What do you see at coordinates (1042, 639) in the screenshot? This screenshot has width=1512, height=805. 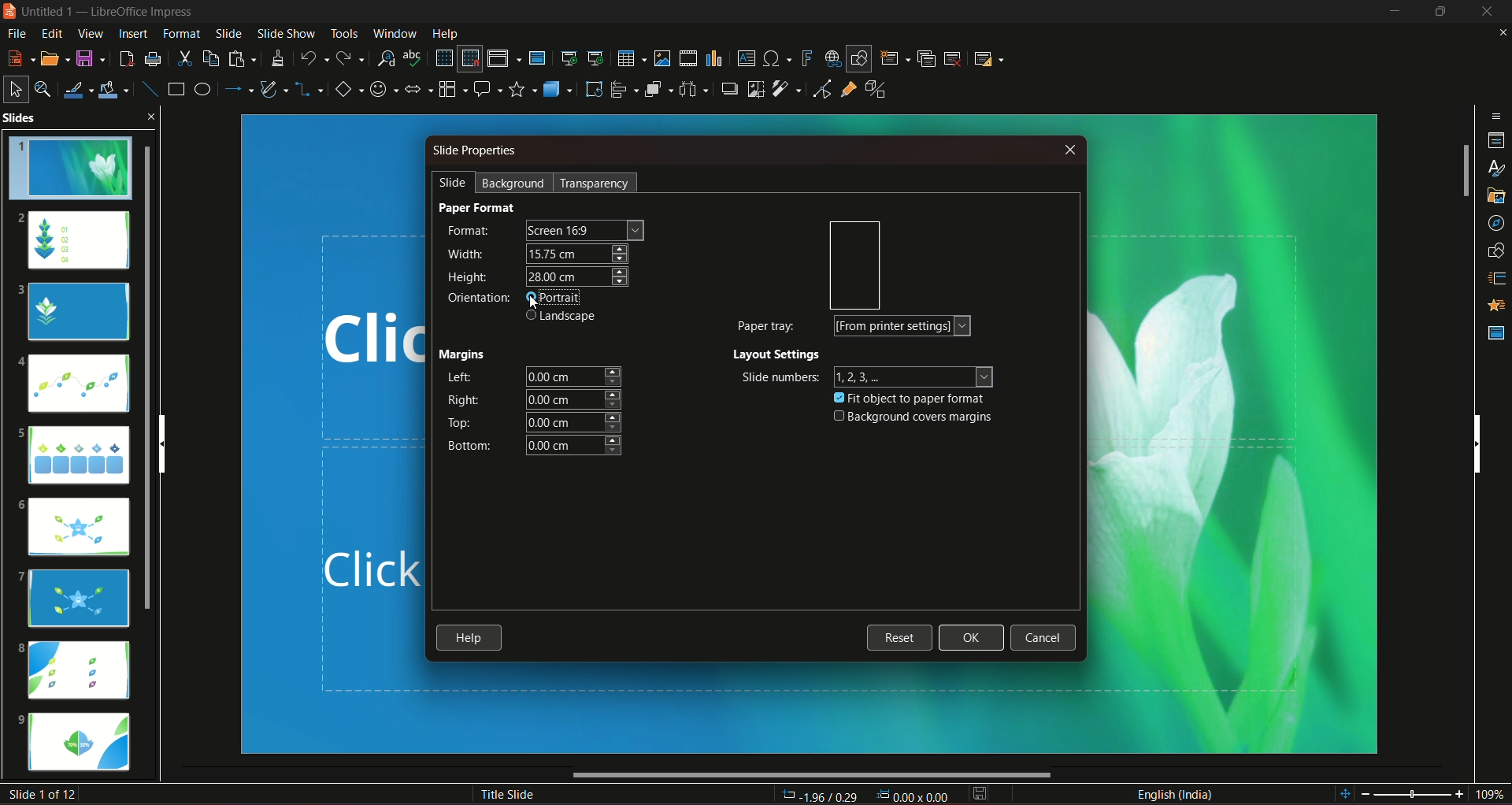 I see `cancel` at bounding box center [1042, 639].